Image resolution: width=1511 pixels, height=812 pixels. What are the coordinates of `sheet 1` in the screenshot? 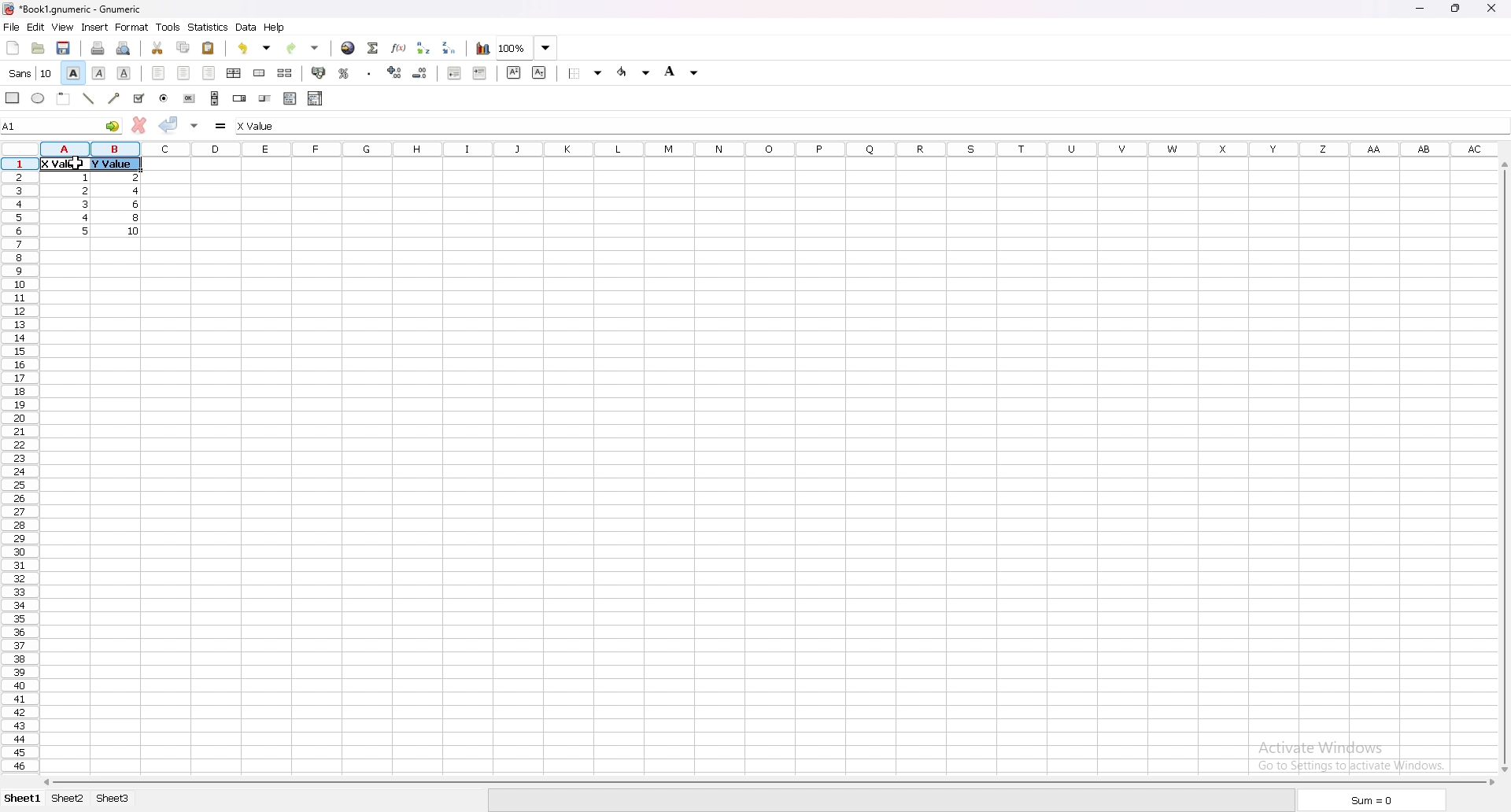 It's located at (24, 799).